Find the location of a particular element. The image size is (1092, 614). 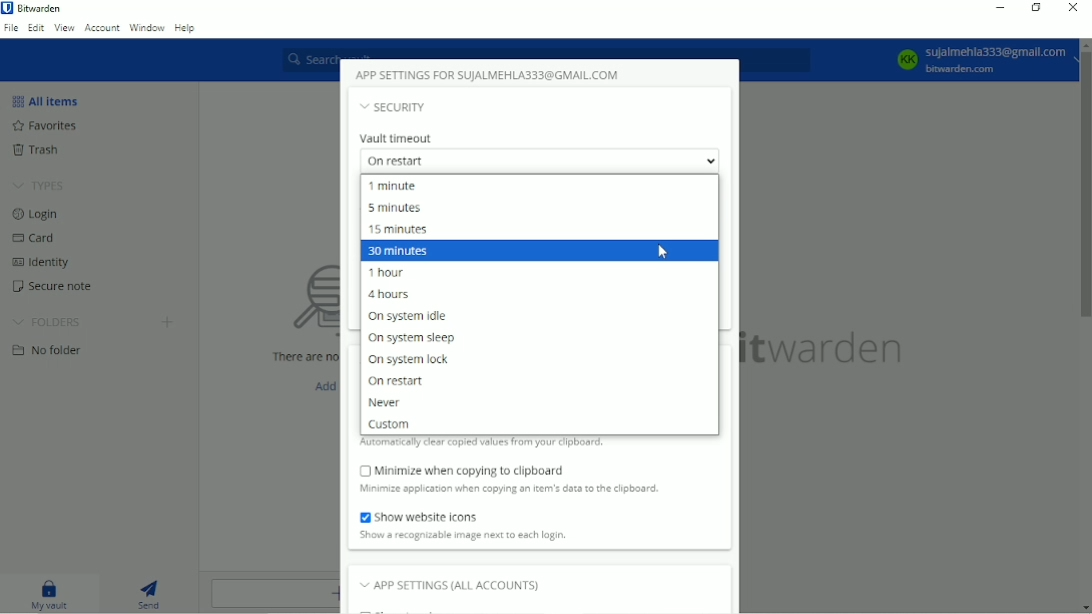

Security is located at coordinates (395, 107).